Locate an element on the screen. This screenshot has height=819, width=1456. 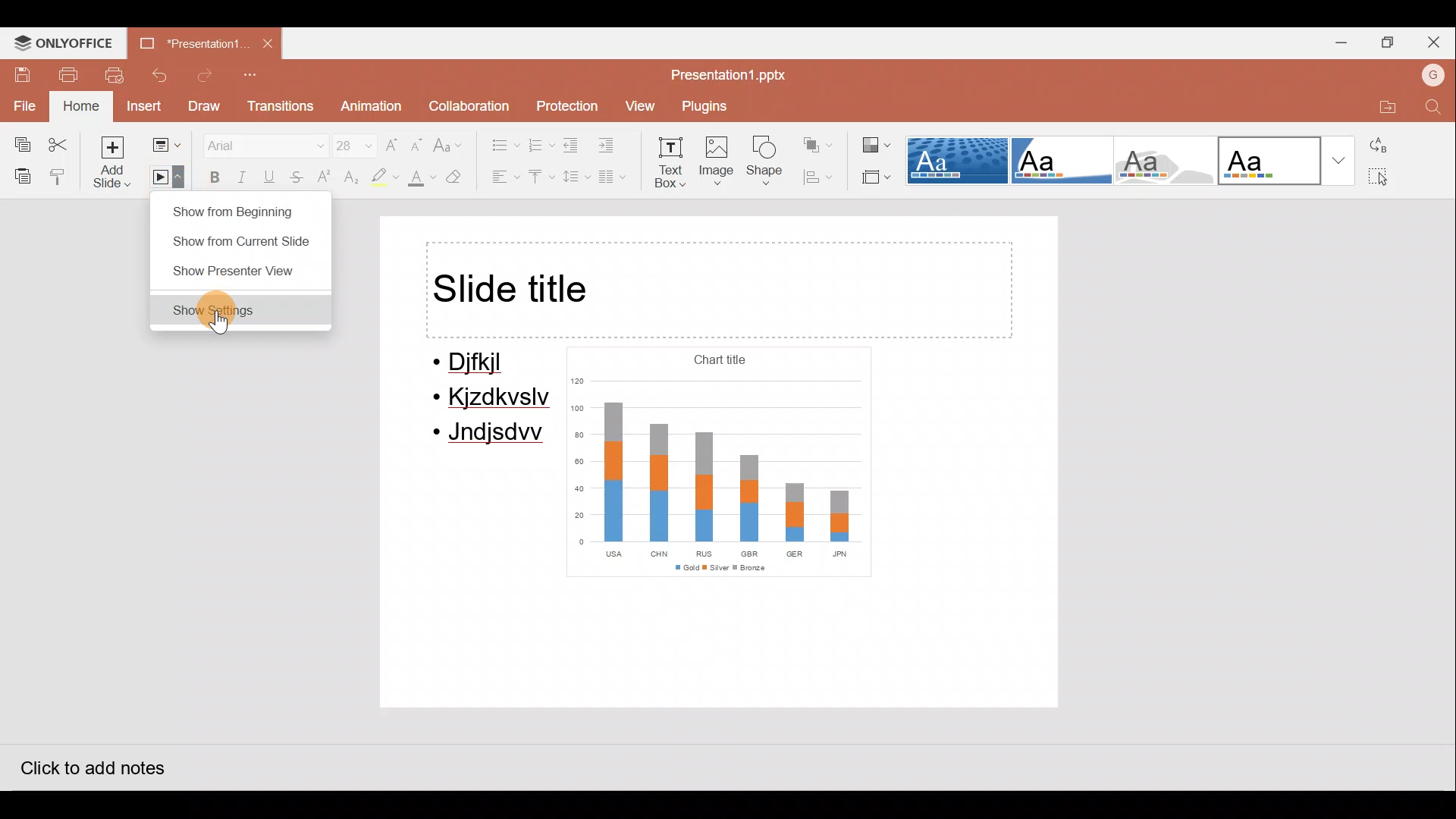
Image is located at coordinates (720, 162).